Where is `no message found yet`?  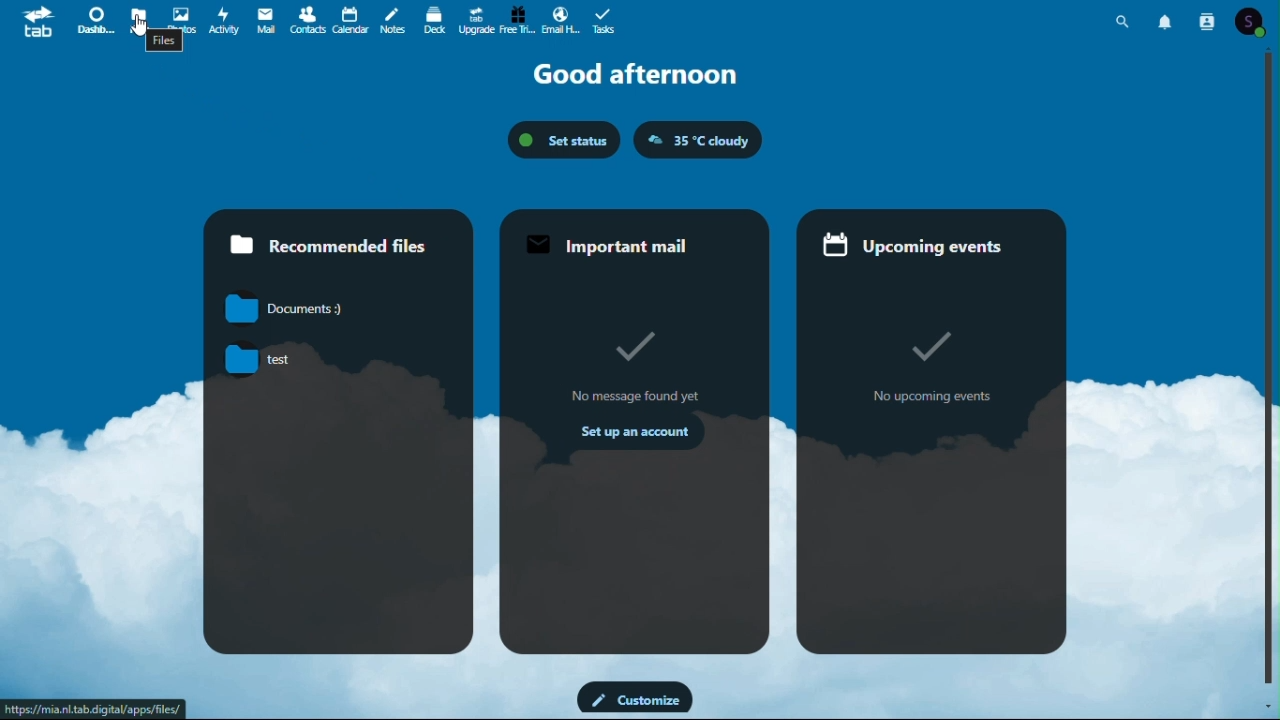 no message found yet is located at coordinates (636, 366).